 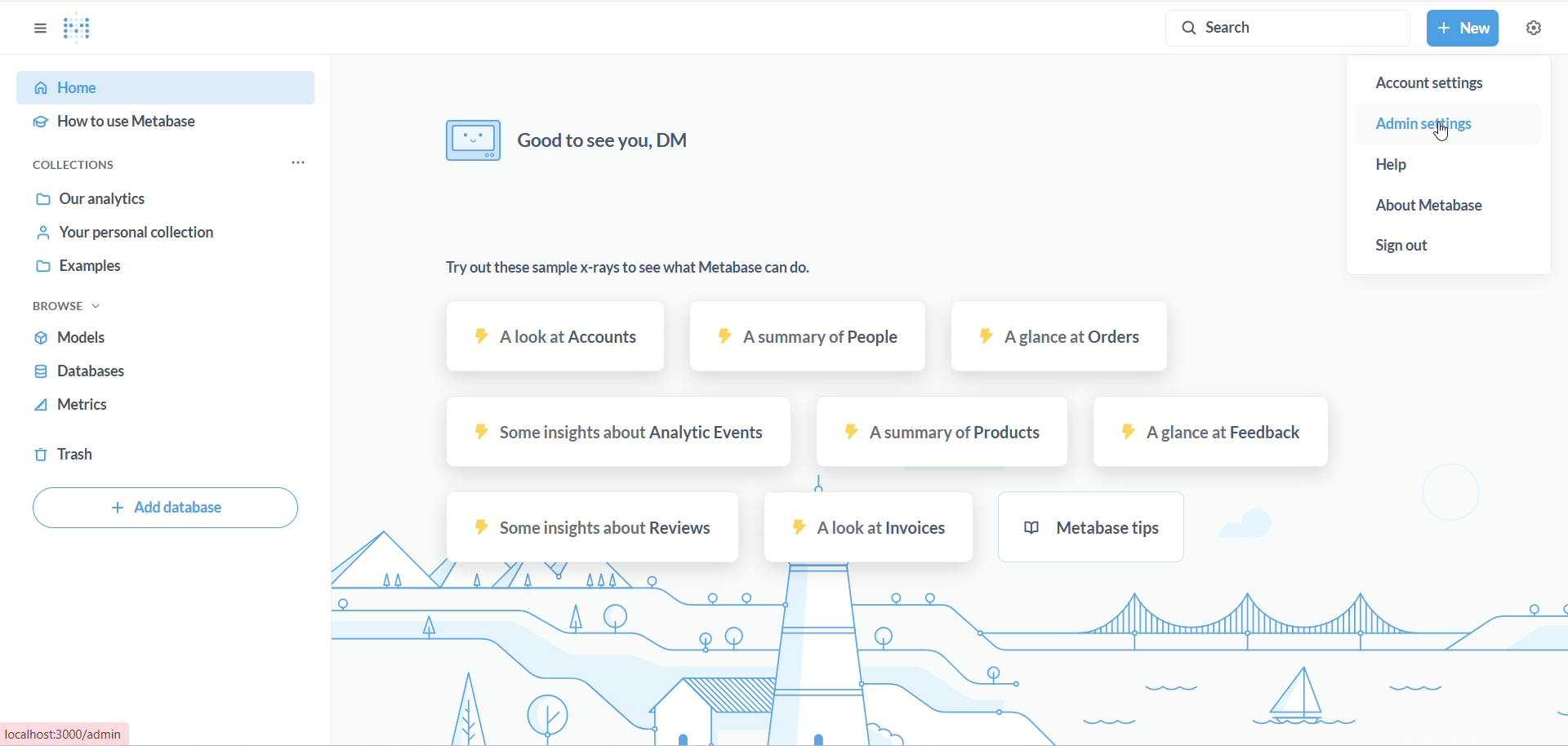 I want to click on collections, so click(x=81, y=167).